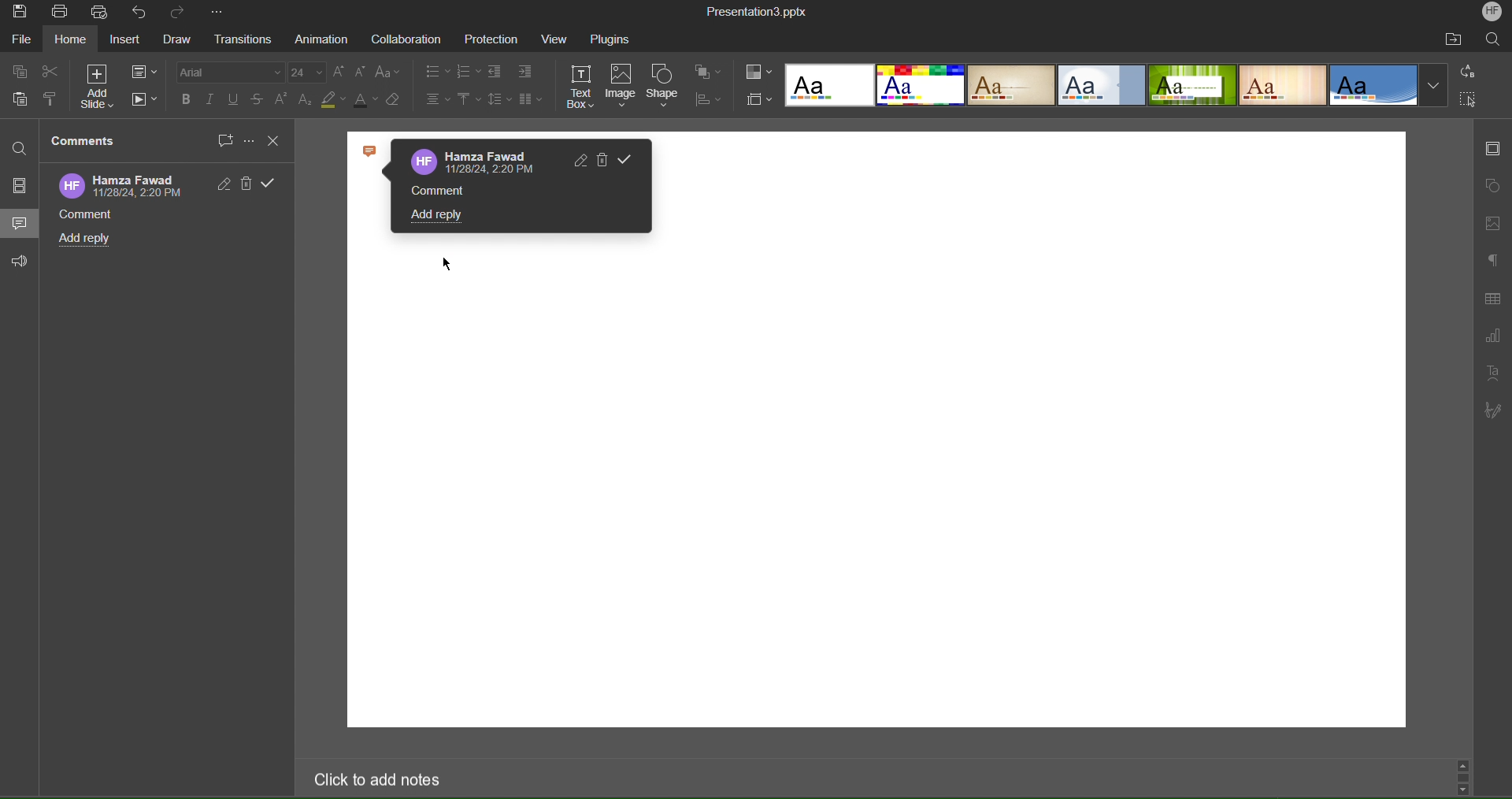 The height and width of the screenshot is (799, 1512). Describe the element at coordinates (224, 183) in the screenshot. I see `Edit` at that location.